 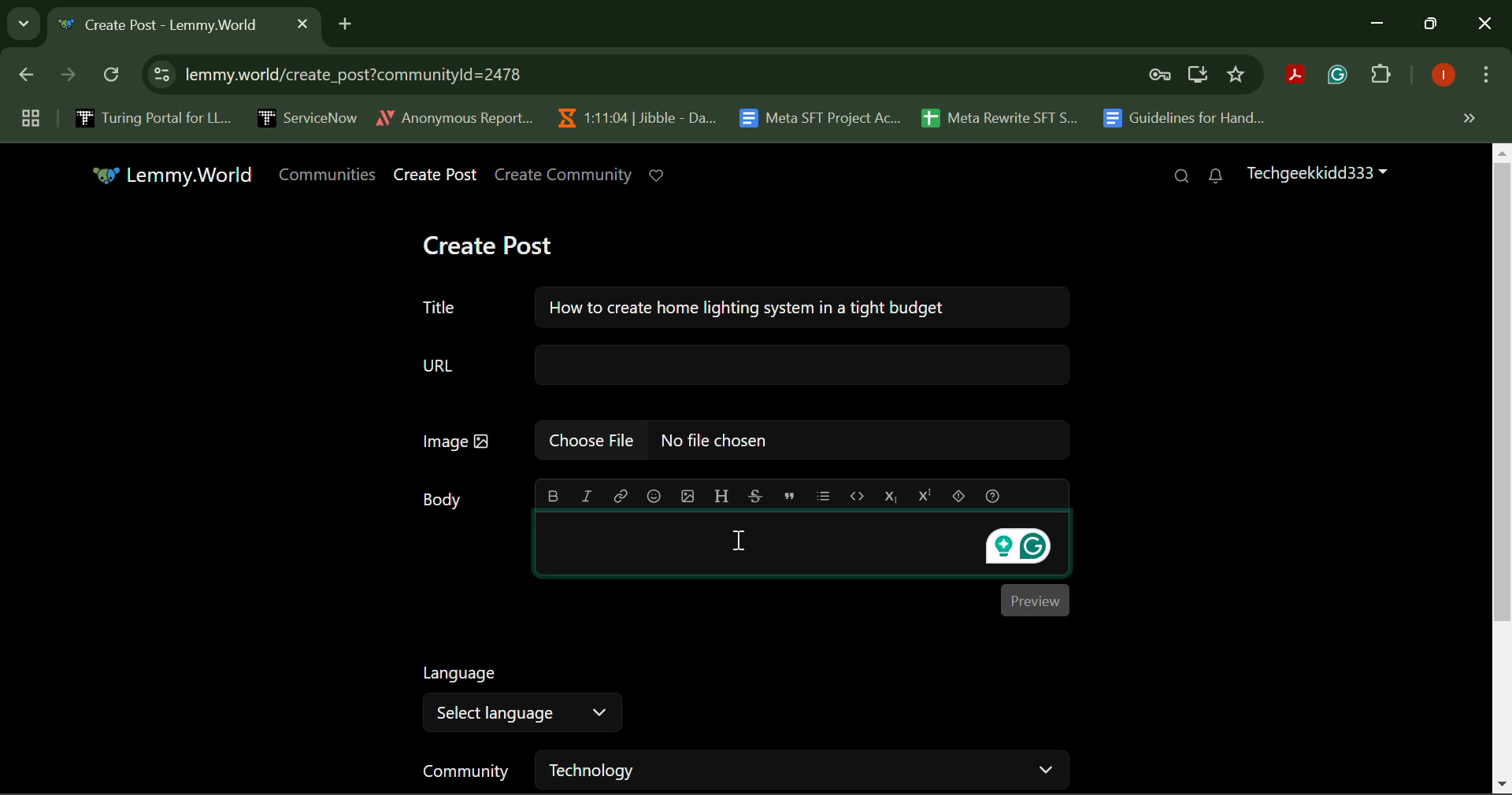 What do you see at coordinates (176, 176) in the screenshot?
I see `Lemmy.World` at bounding box center [176, 176].